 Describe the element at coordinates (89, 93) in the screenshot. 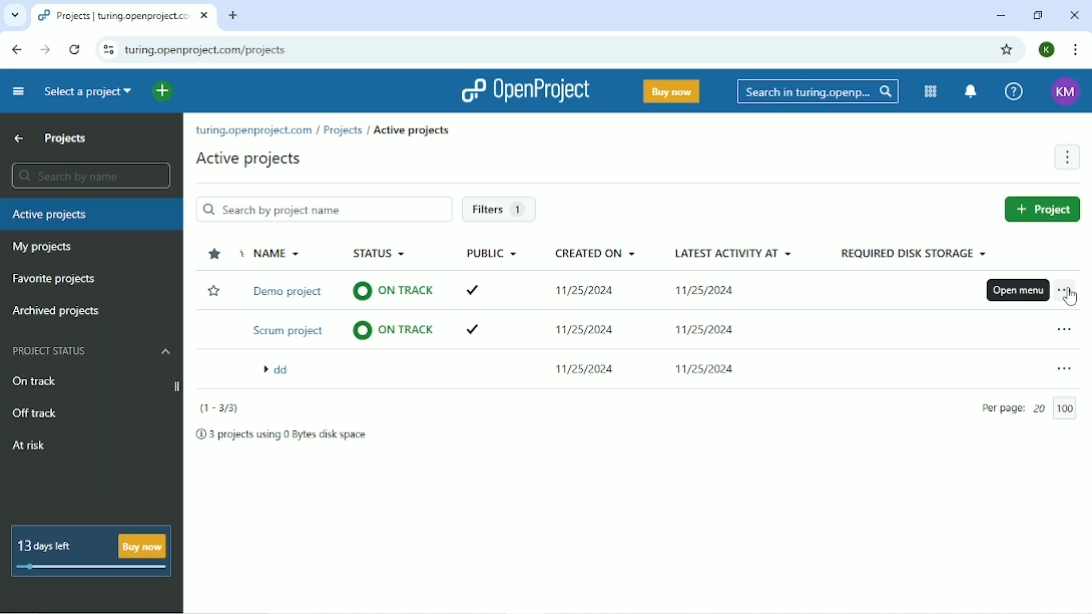

I see `Select a project` at that location.